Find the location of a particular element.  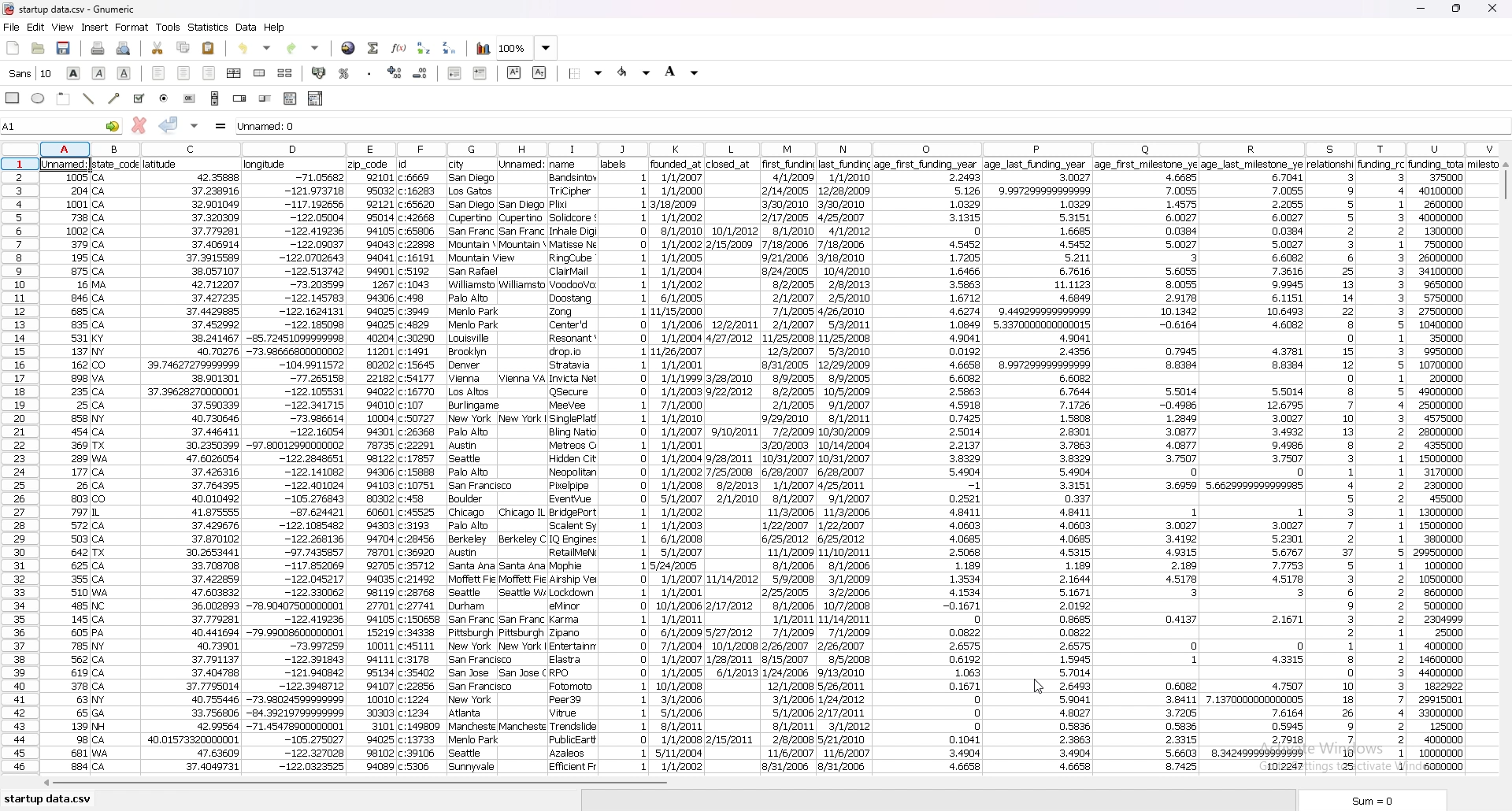

daat is located at coordinates (1450, 465).